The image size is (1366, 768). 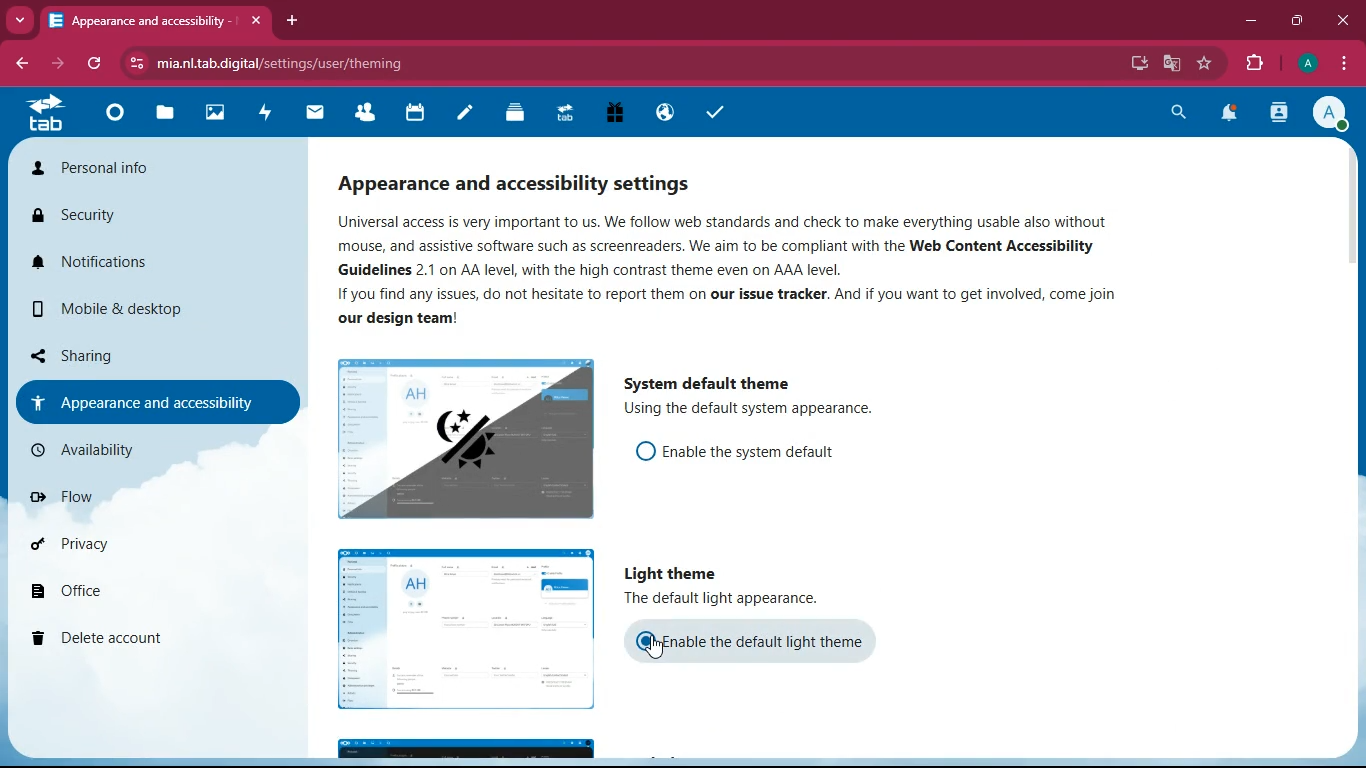 I want to click on search, so click(x=1177, y=112).